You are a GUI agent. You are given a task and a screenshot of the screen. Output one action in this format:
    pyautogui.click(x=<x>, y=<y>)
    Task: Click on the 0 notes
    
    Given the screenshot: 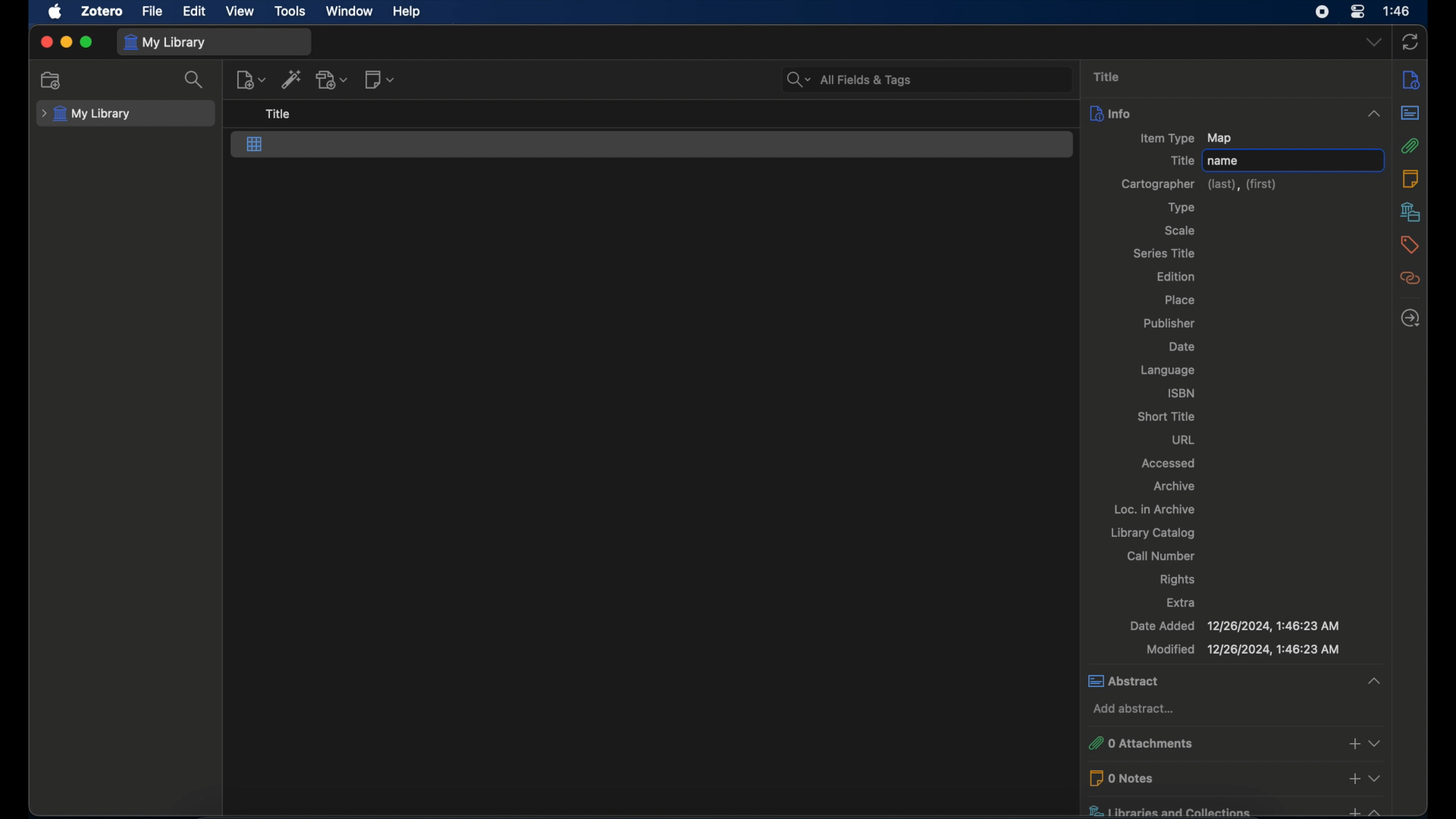 What is the action you would take?
    pyautogui.click(x=1209, y=777)
    